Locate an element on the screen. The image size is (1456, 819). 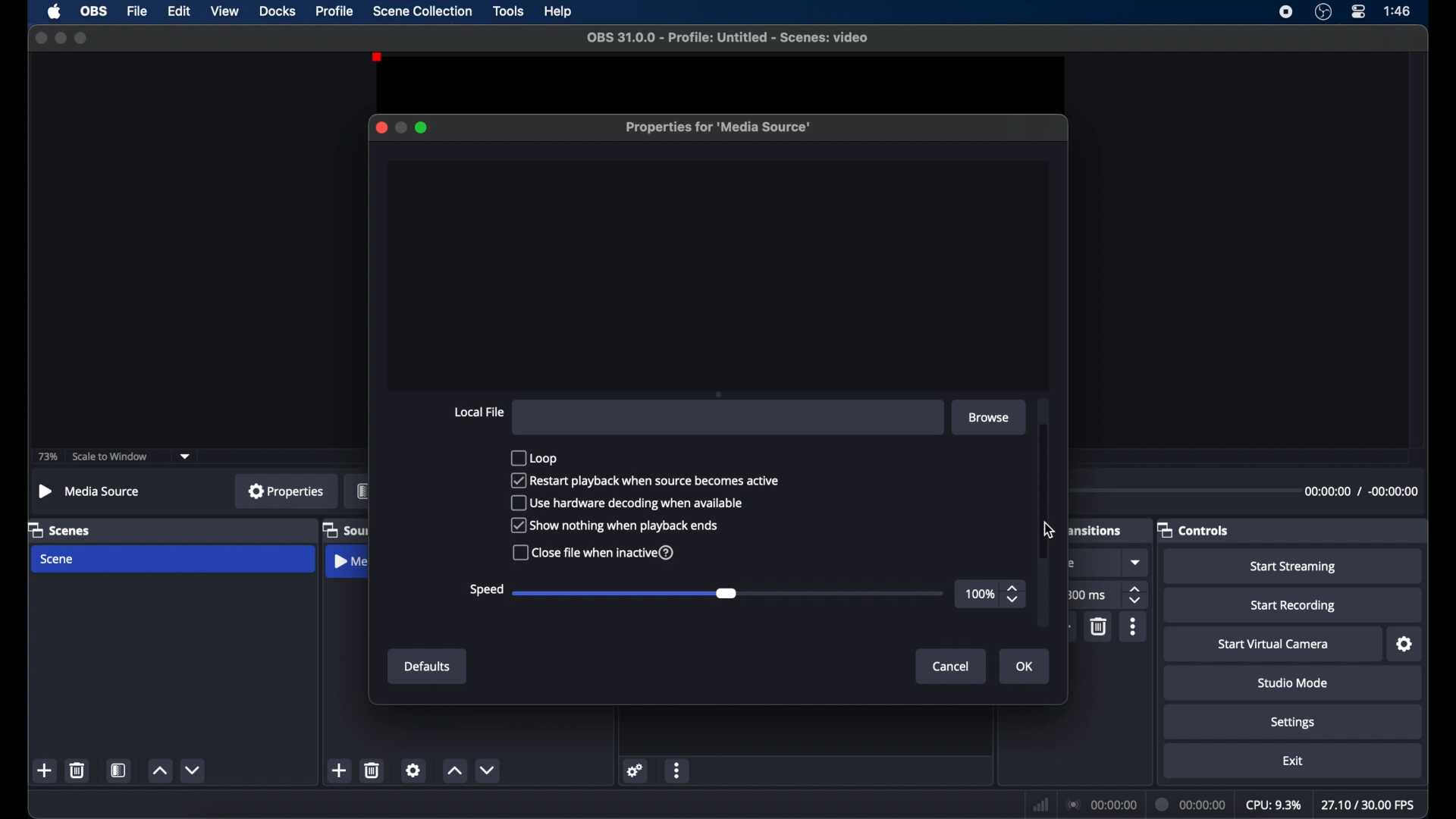
start recording is located at coordinates (1295, 606).